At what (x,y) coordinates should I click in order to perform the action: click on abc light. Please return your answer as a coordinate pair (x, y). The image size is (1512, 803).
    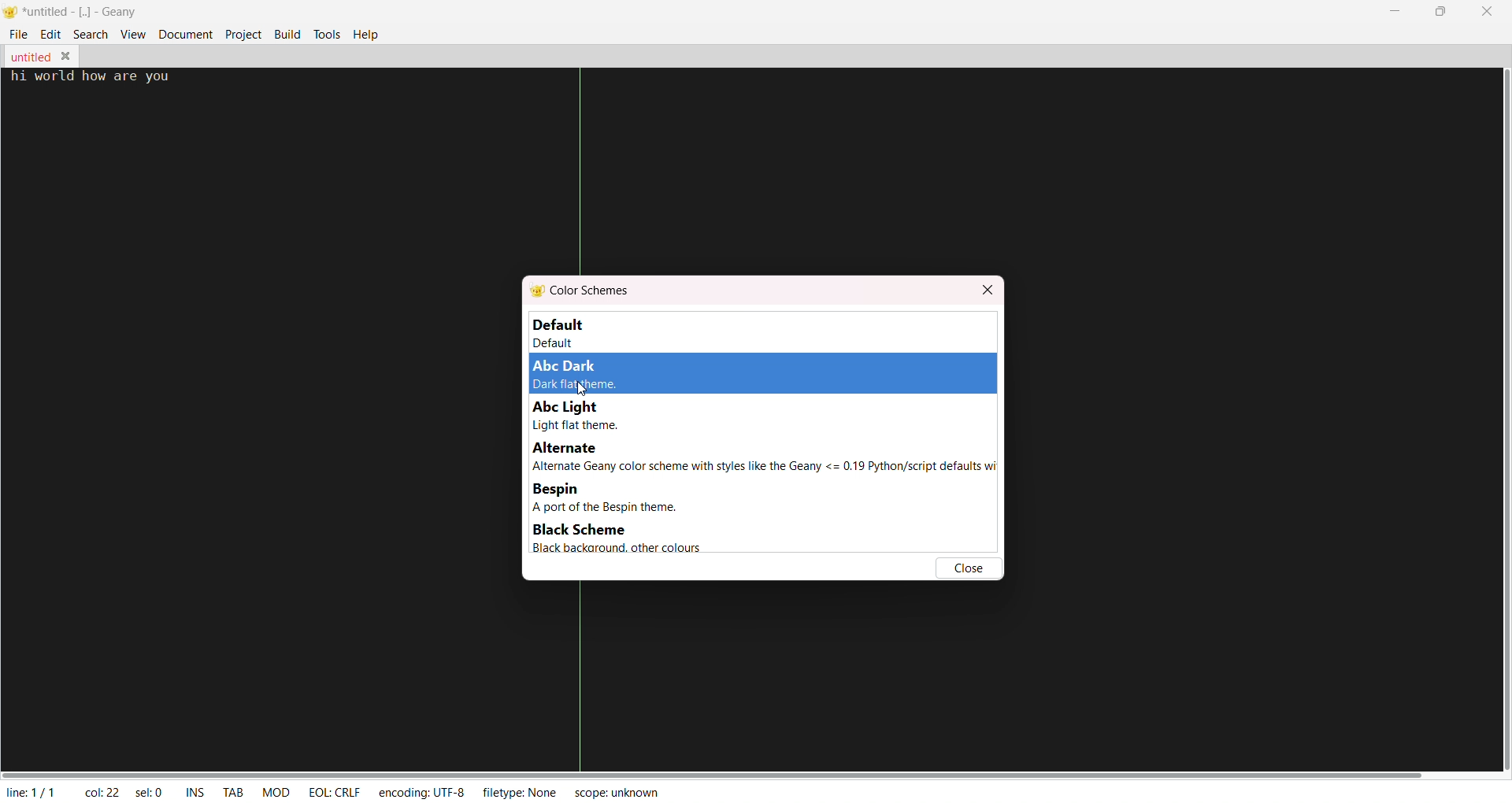
    Looking at the image, I should click on (561, 407).